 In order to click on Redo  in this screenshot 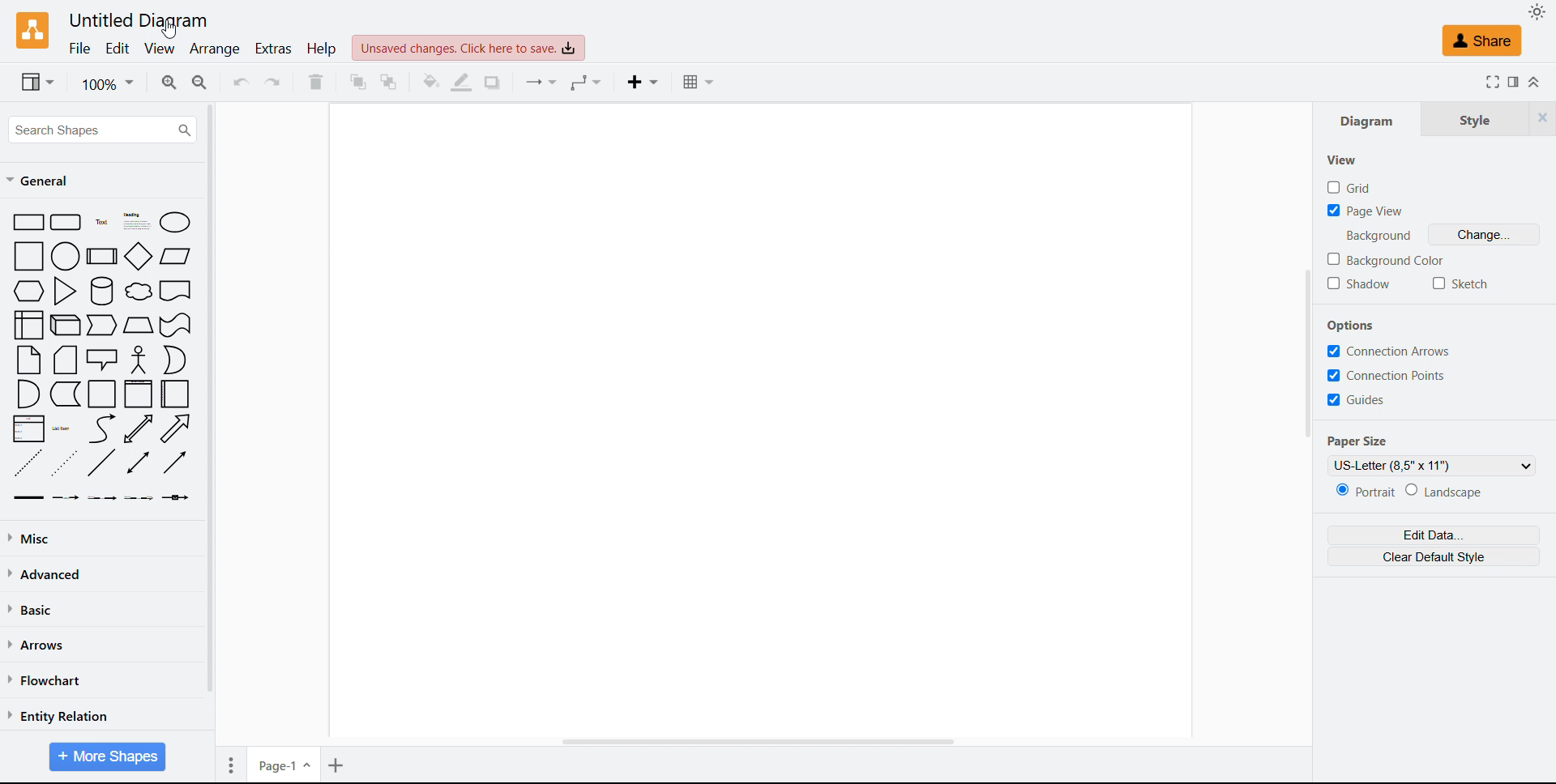, I will do `click(273, 83)`.